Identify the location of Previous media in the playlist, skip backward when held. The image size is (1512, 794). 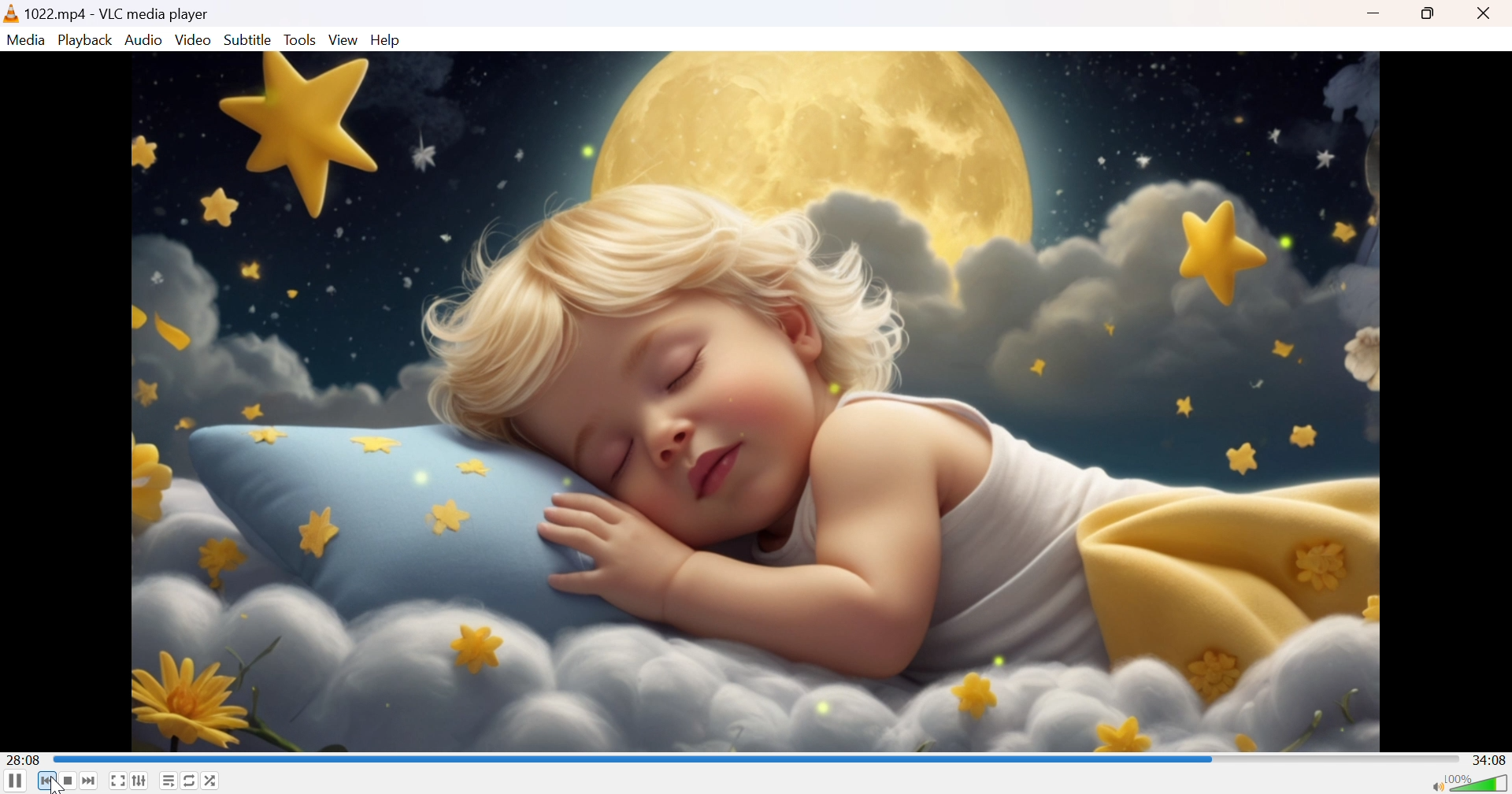
(46, 781).